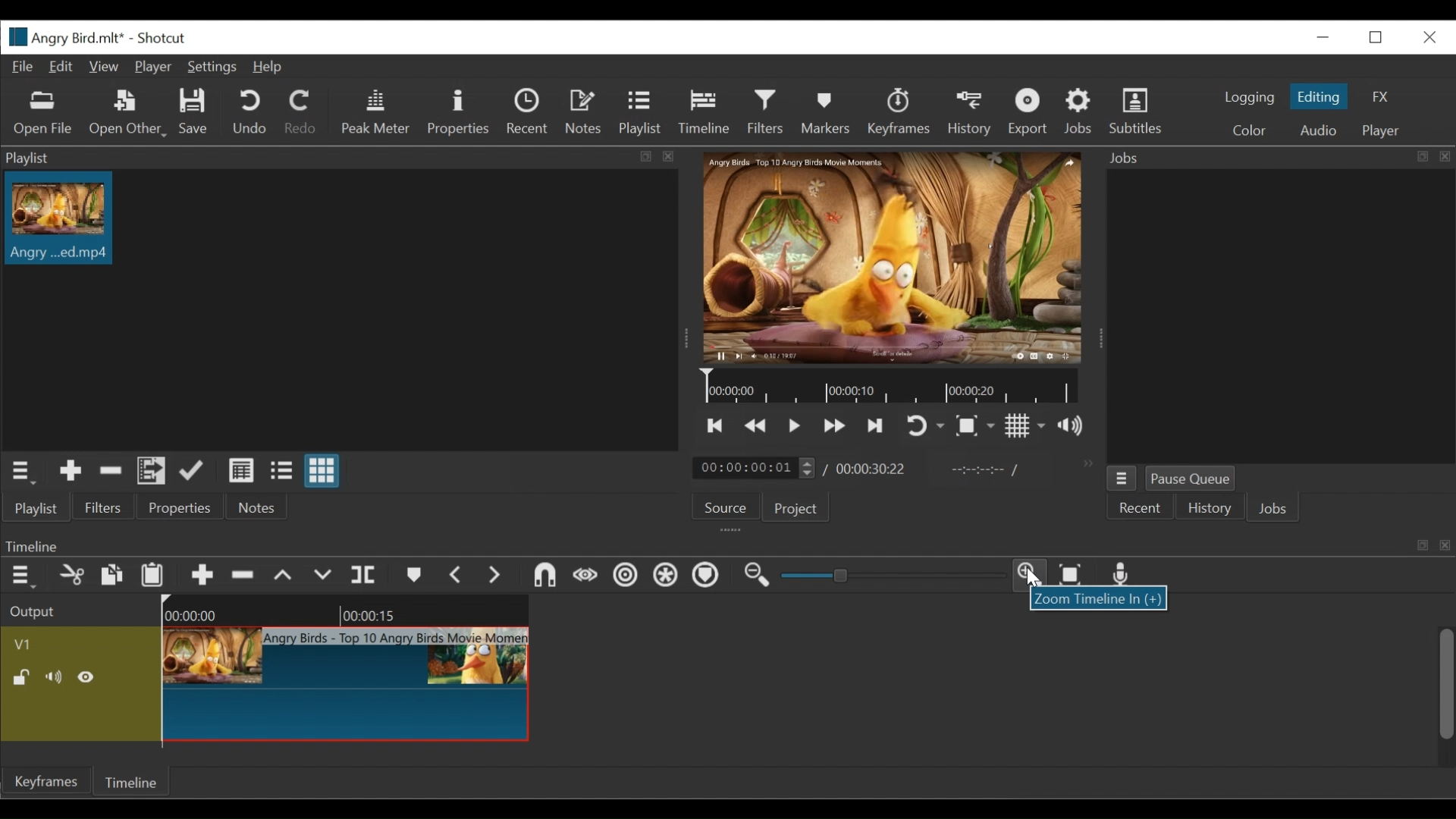 This screenshot has width=1456, height=819. What do you see at coordinates (899, 113) in the screenshot?
I see `Keyframes` at bounding box center [899, 113].